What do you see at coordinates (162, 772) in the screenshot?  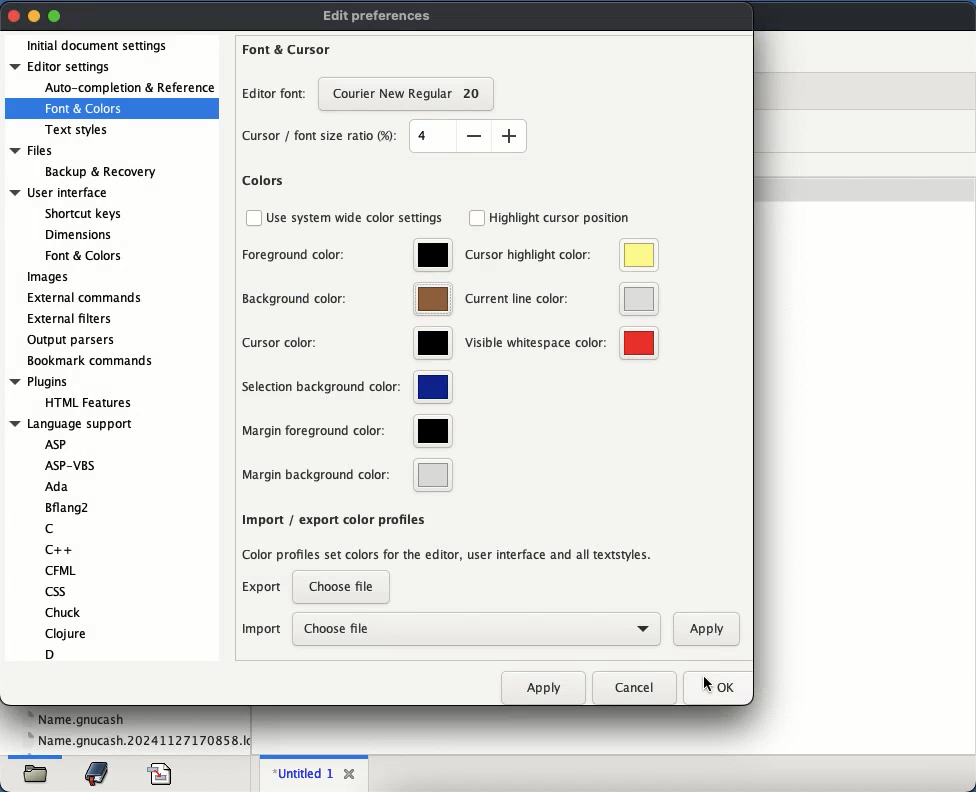 I see `file` at bounding box center [162, 772].